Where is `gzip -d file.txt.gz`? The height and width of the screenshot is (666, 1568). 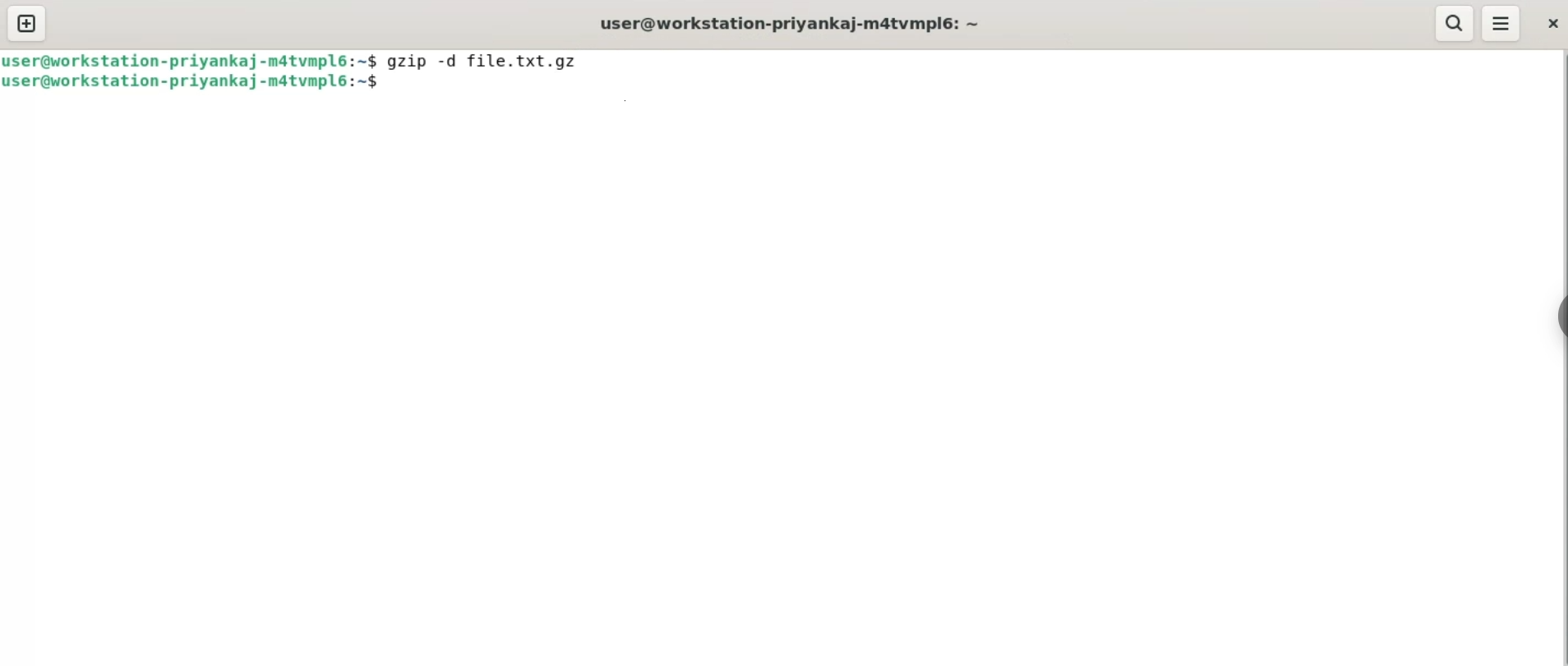 gzip -d file.txt.gz is located at coordinates (491, 61).